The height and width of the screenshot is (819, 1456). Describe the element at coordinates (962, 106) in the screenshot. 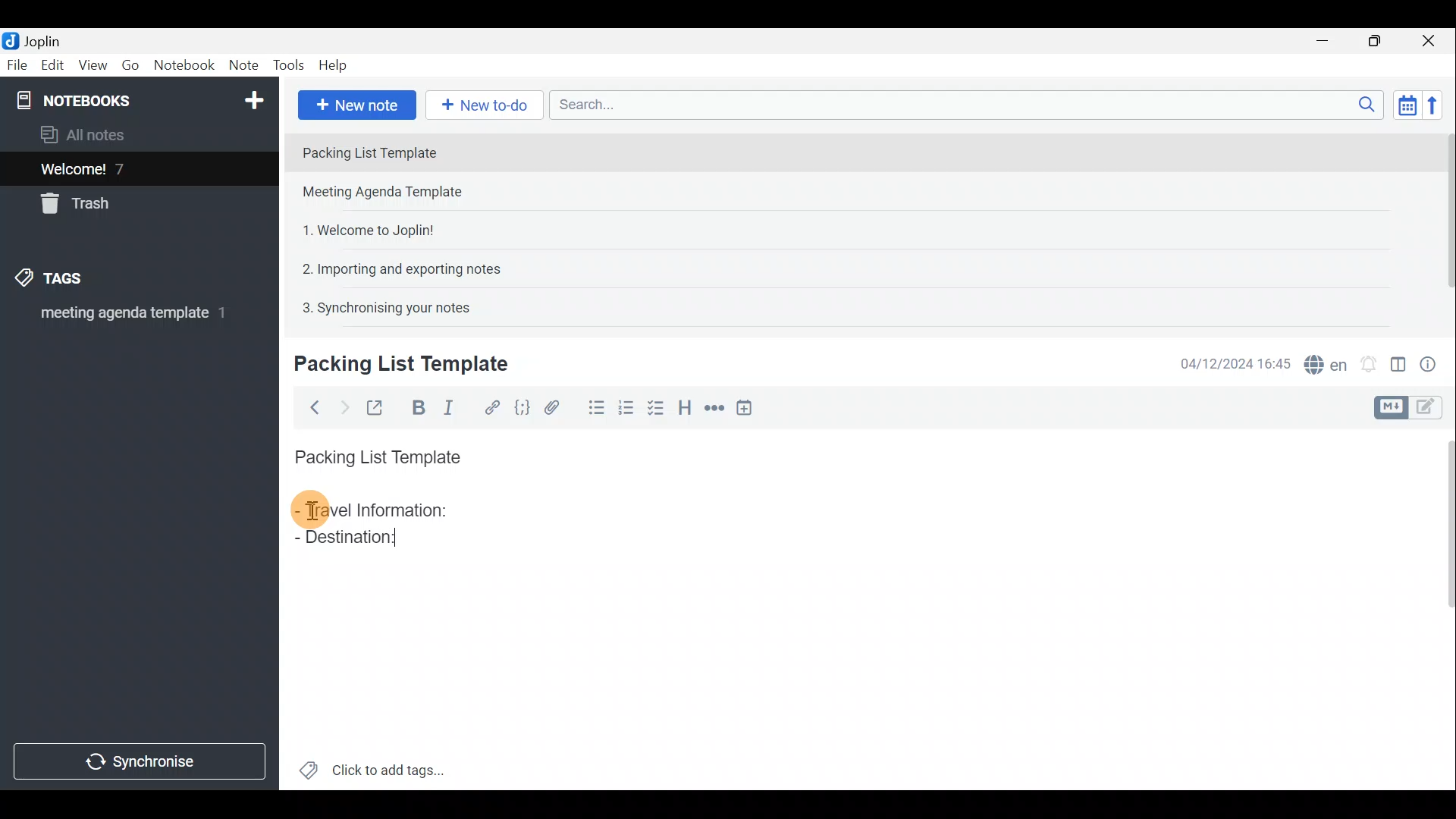

I see `Search bar` at that location.